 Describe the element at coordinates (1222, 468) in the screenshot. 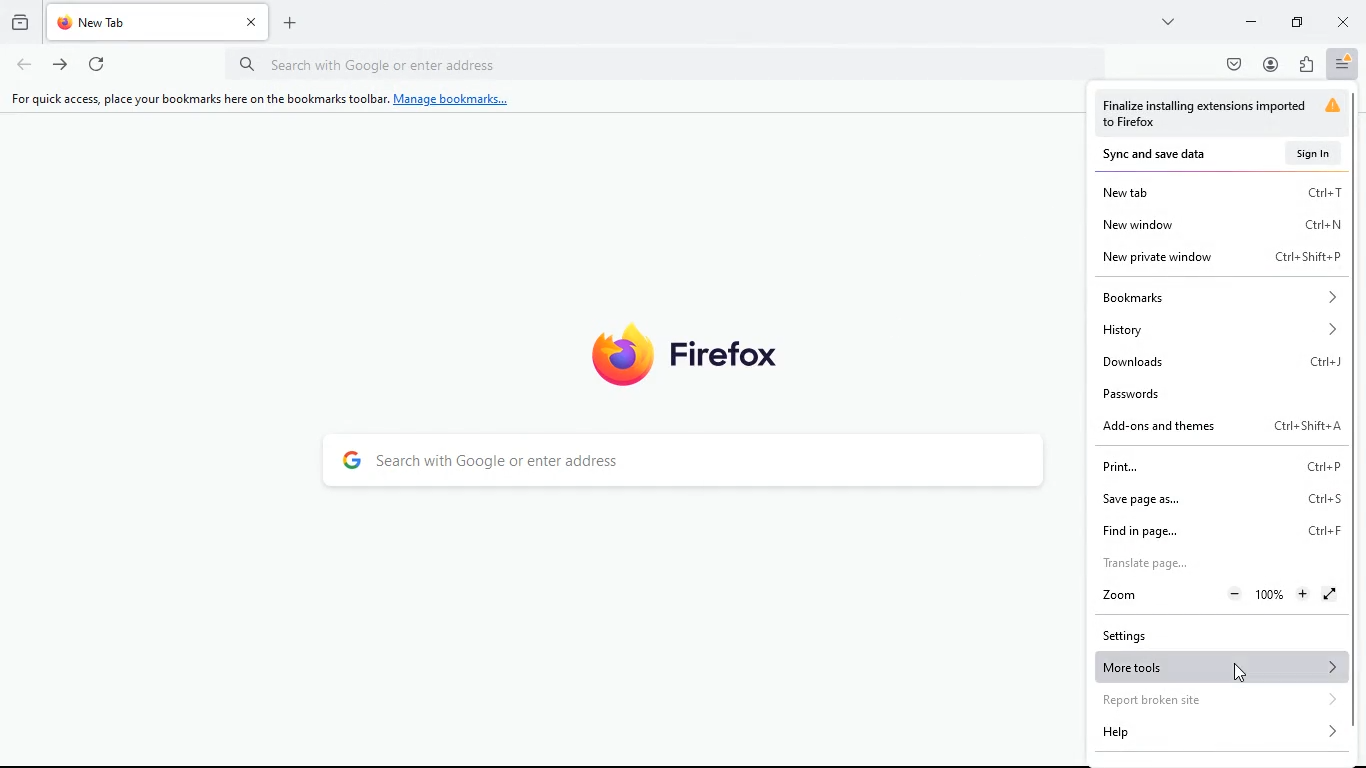

I see `print` at that location.